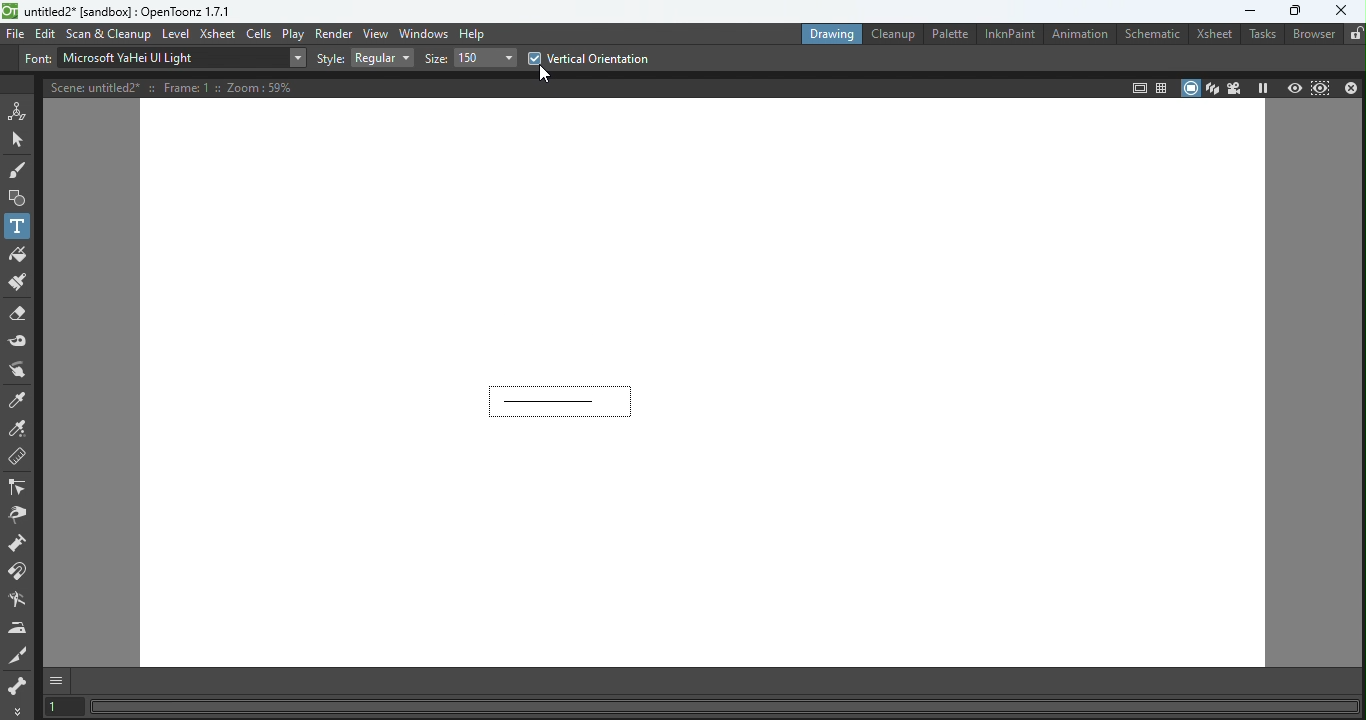 This screenshot has height=720, width=1366. What do you see at coordinates (218, 35) in the screenshot?
I see `Xsheet` at bounding box center [218, 35].